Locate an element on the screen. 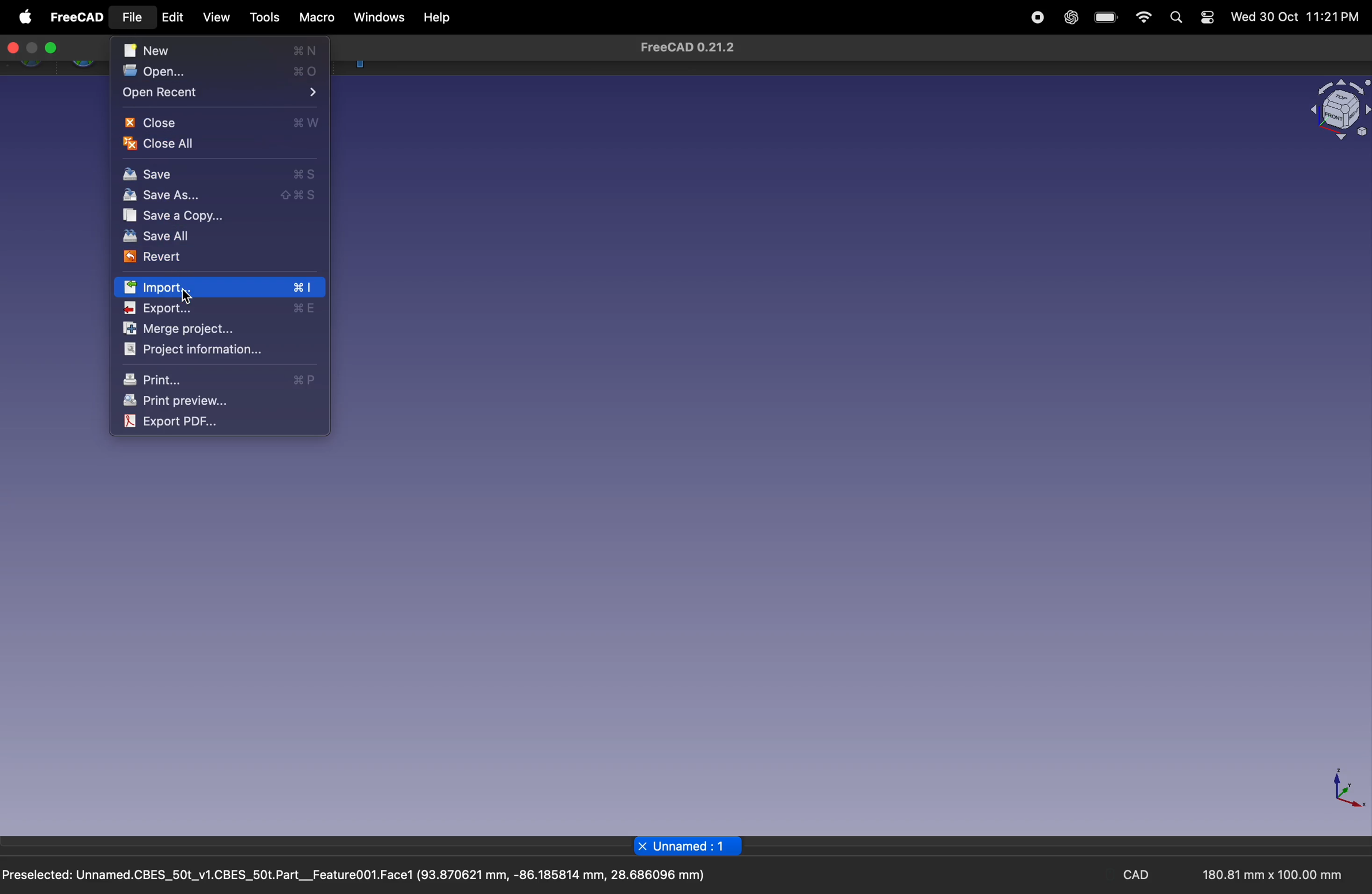 The image size is (1372, 894). cursor is located at coordinates (191, 298).